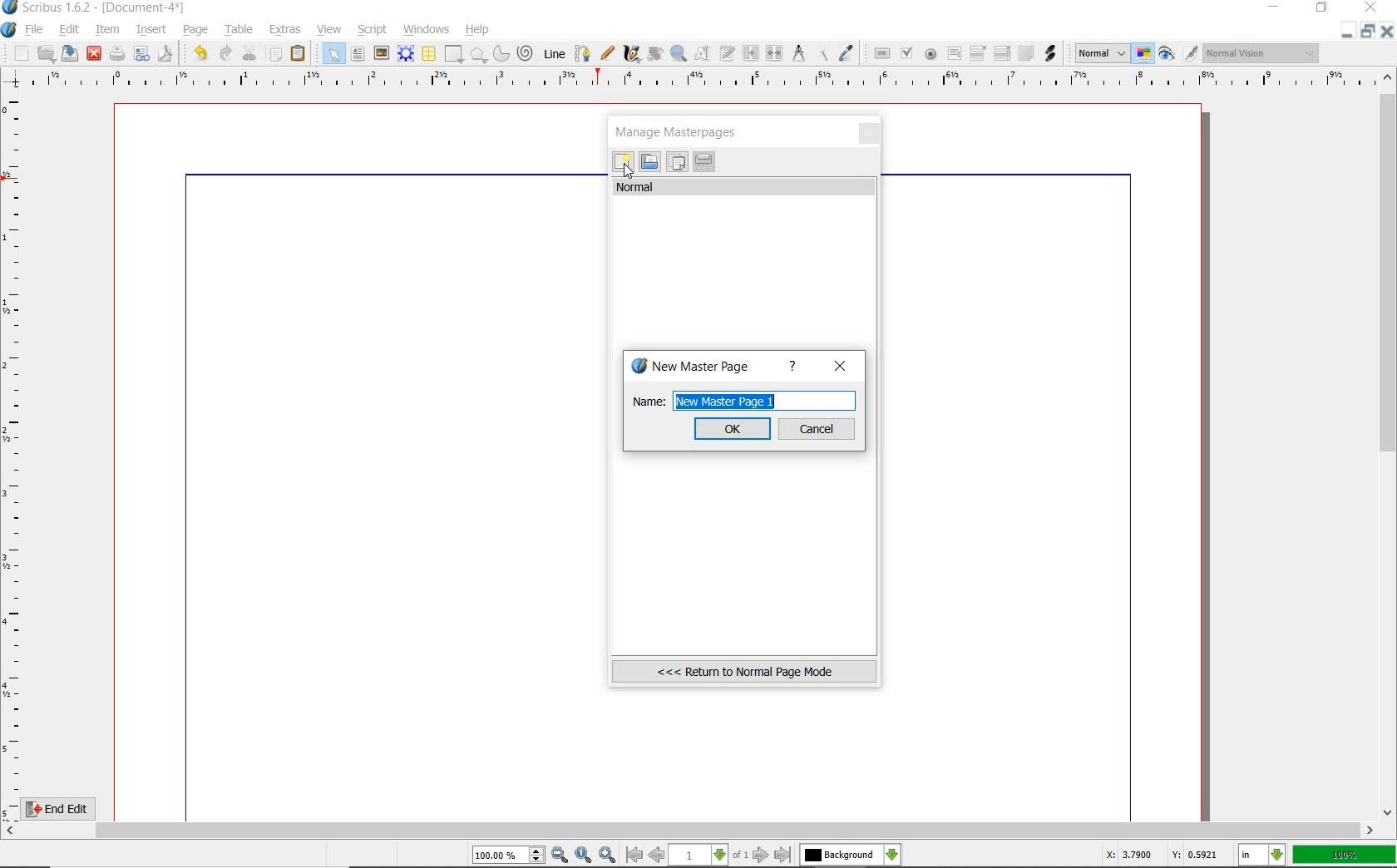  What do you see at coordinates (67, 31) in the screenshot?
I see `edit` at bounding box center [67, 31].